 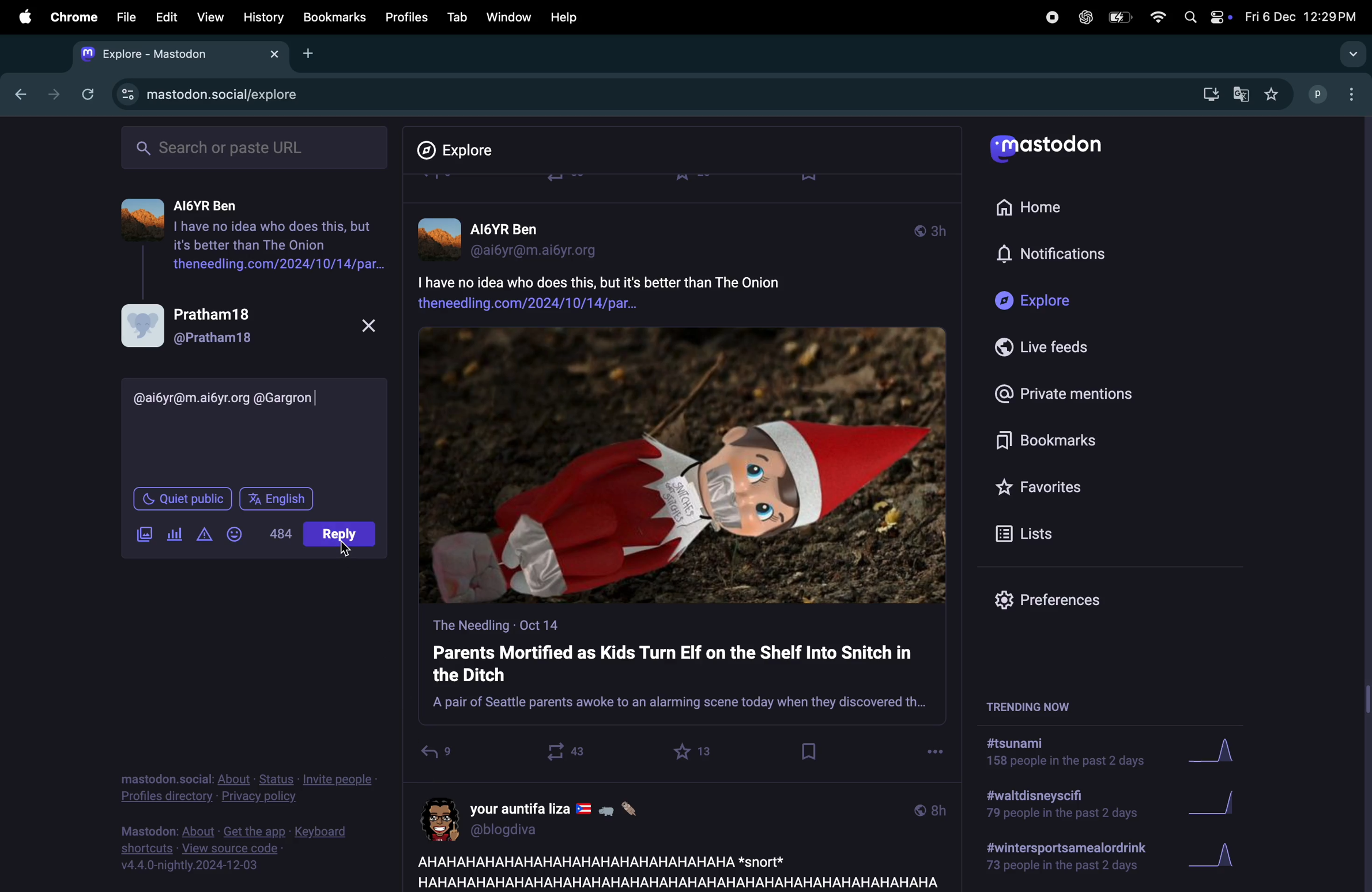 What do you see at coordinates (673, 870) in the screenshot?
I see `post` at bounding box center [673, 870].